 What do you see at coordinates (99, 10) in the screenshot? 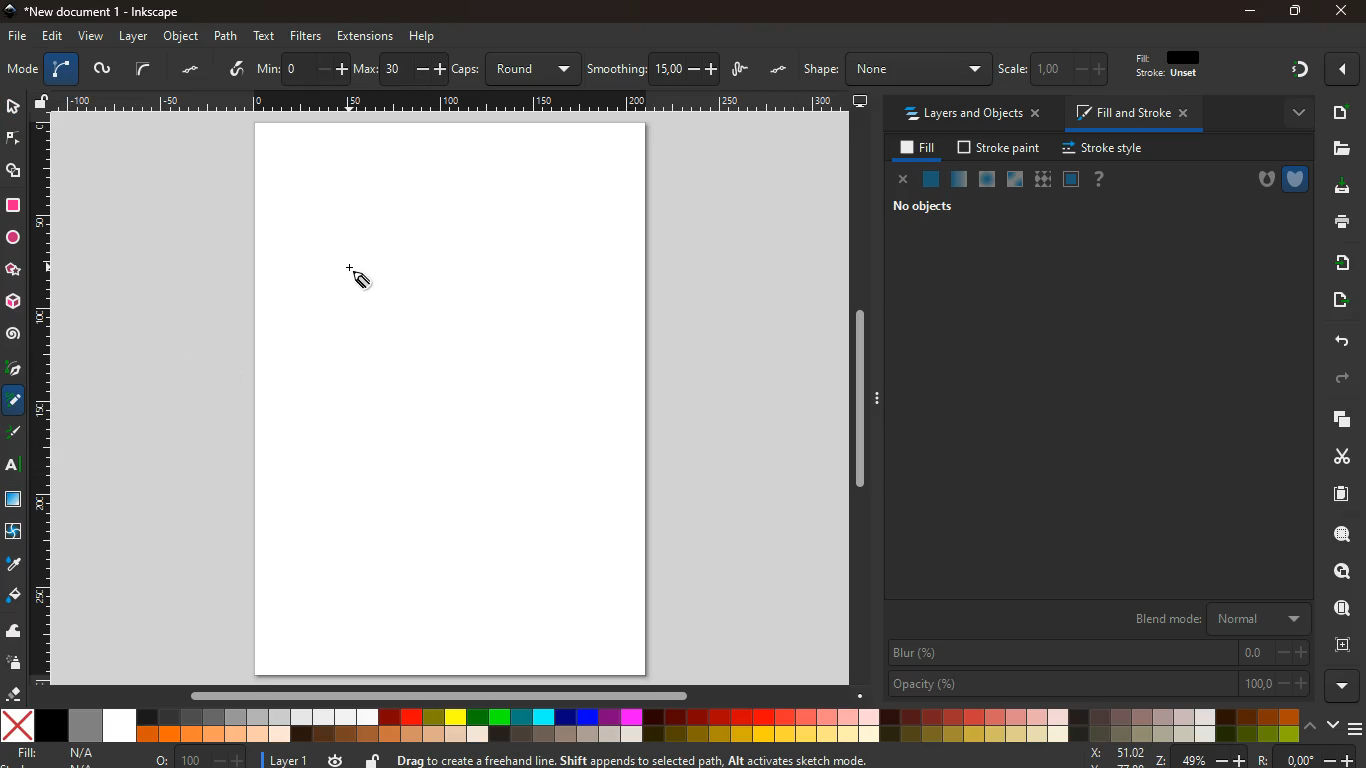
I see `inkscape` at bounding box center [99, 10].